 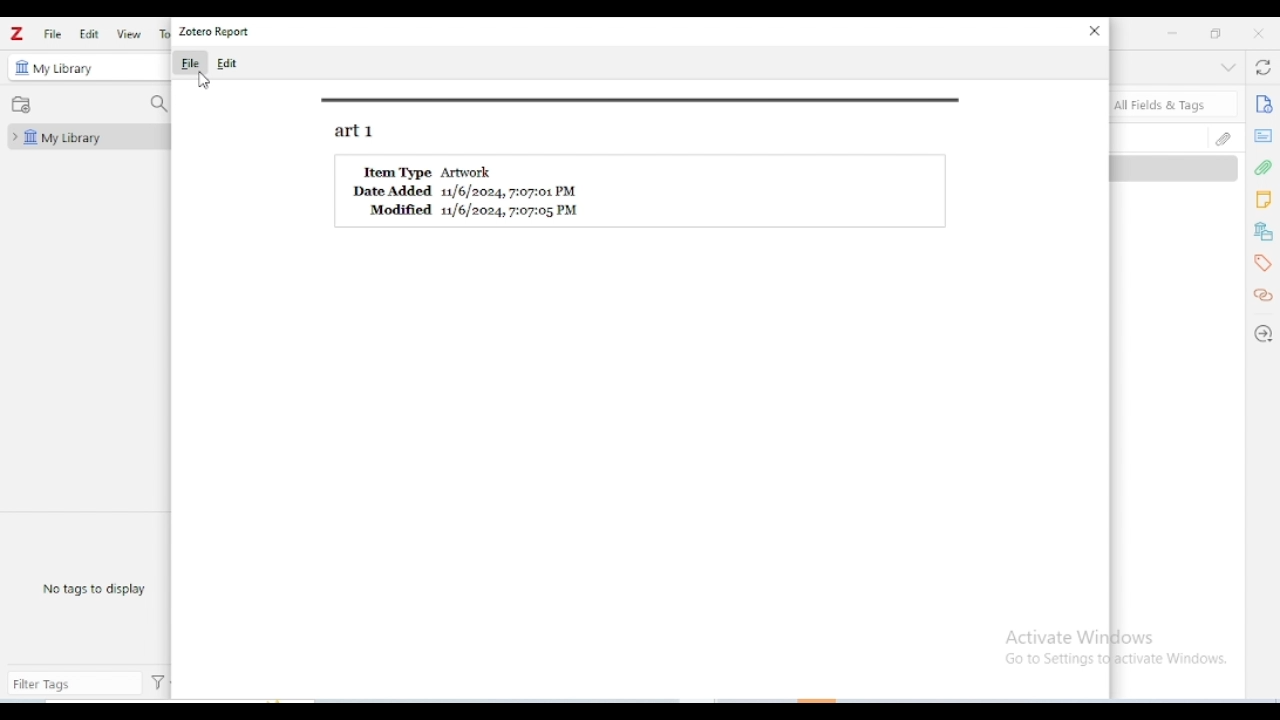 What do you see at coordinates (21, 104) in the screenshot?
I see `new collection` at bounding box center [21, 104].